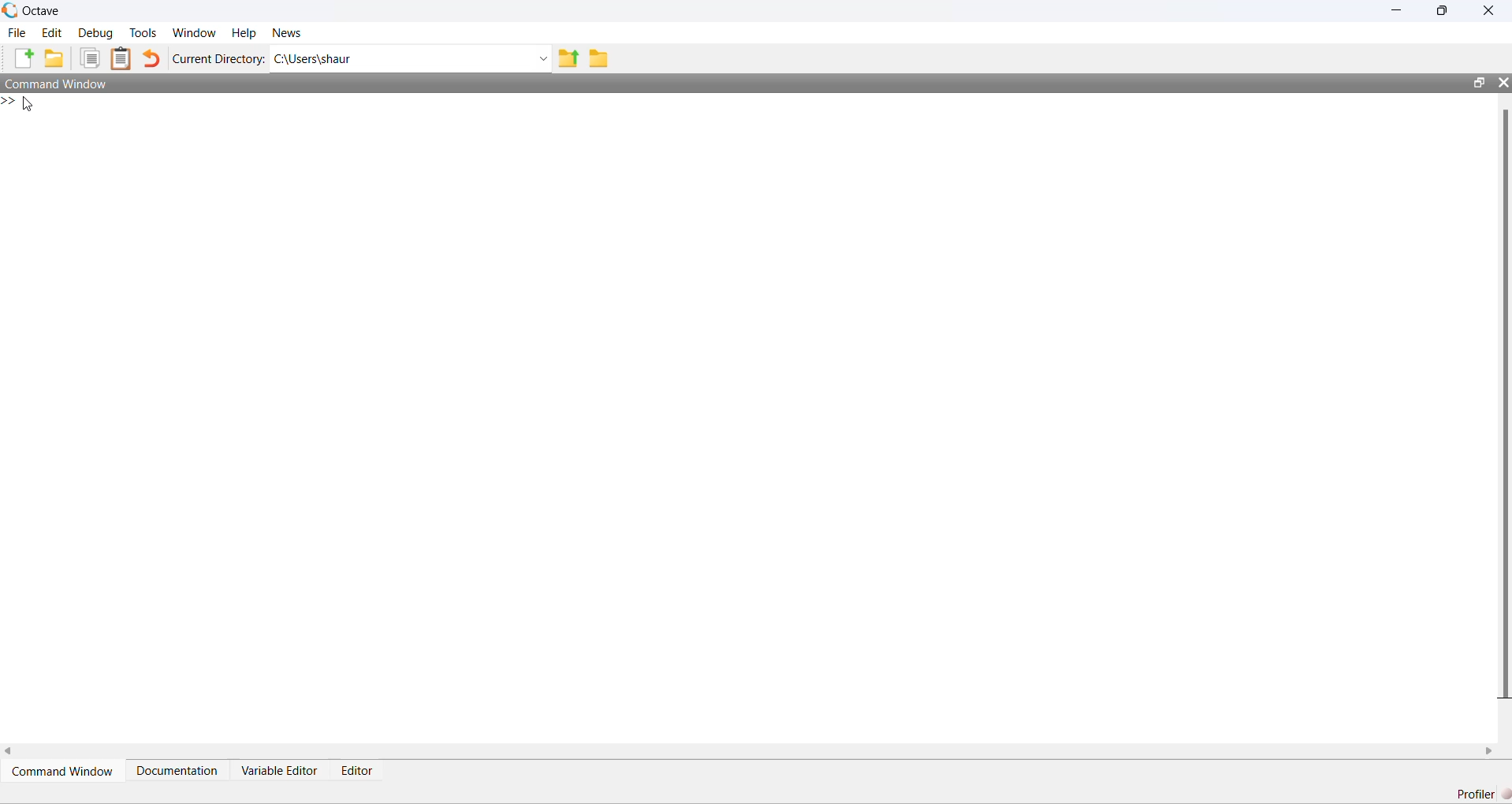 This screenshot has width=1512, height=804. Describe the element at coordinates (280, 769) in the screenshot. I see `Variable Editor` at that location.